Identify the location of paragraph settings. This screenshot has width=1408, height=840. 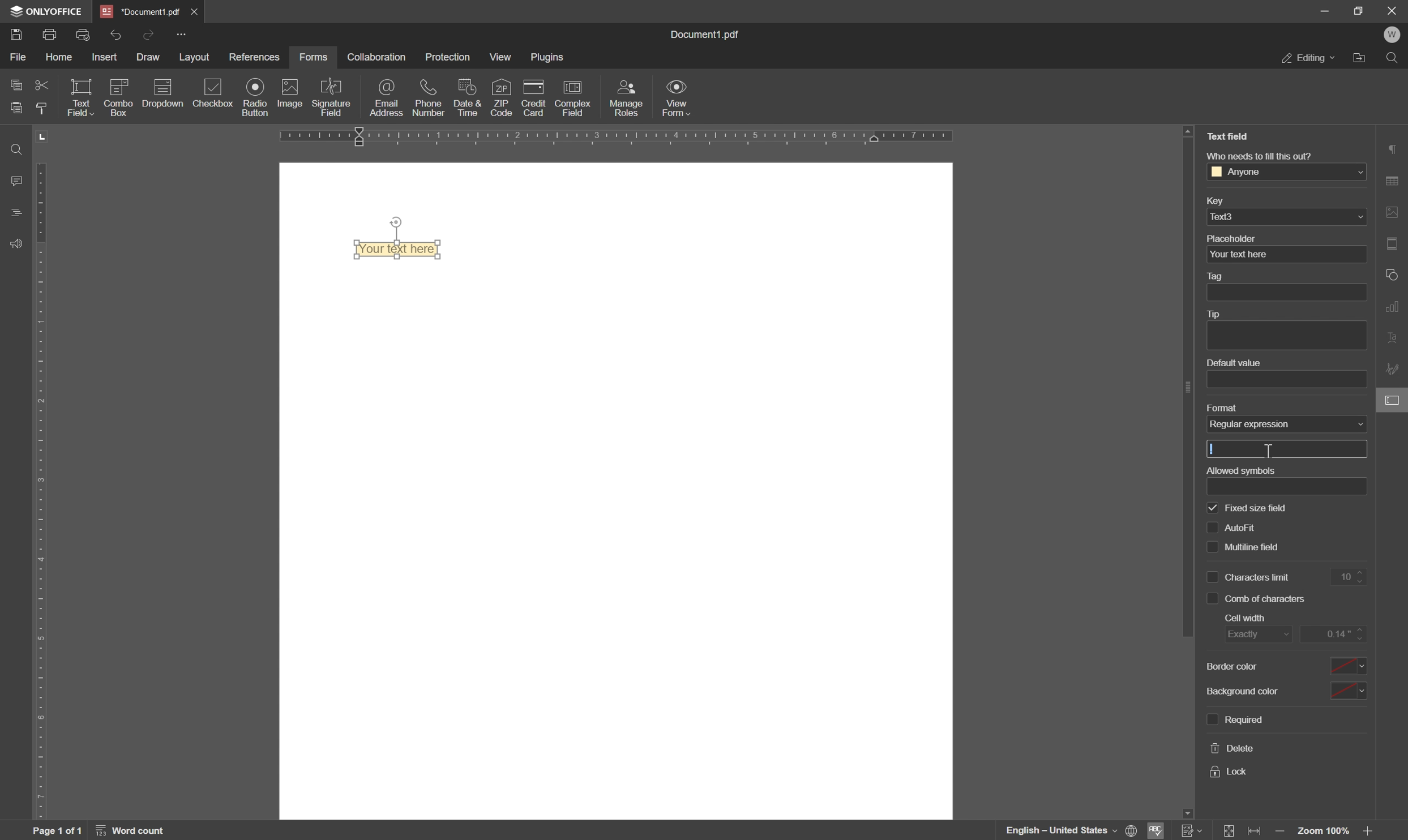
(1394, 148).